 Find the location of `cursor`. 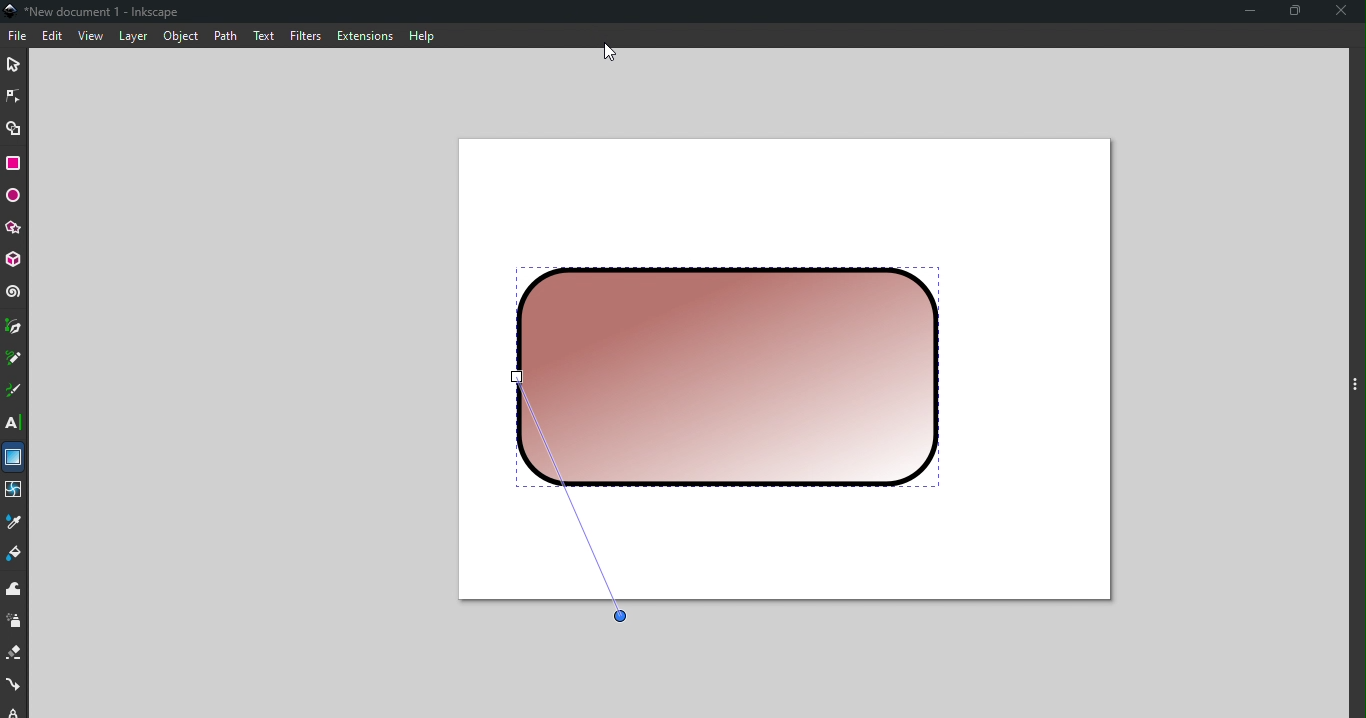

cursor is located at coordinates (610, 52).